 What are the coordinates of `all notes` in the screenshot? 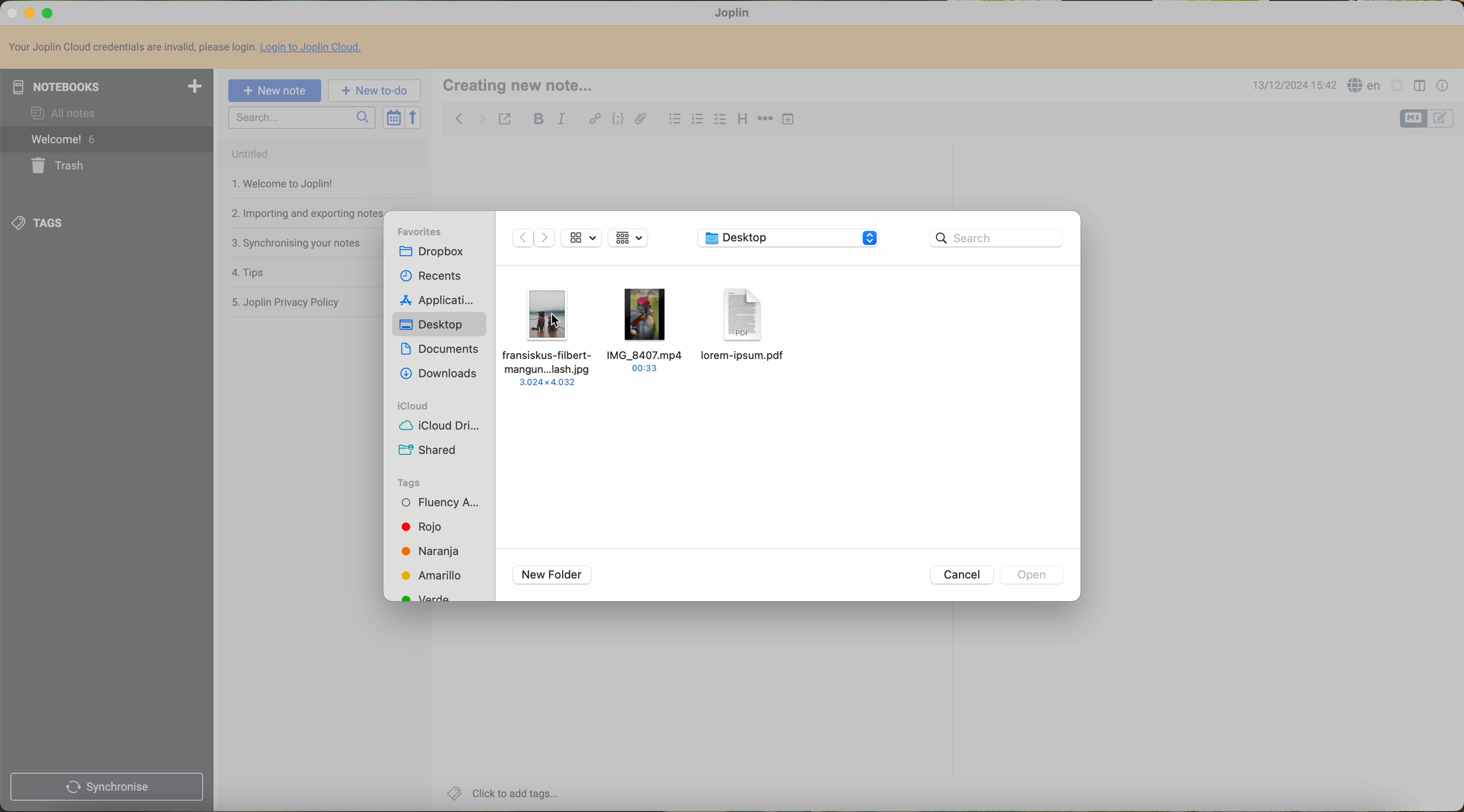 It's located at (66, 114).